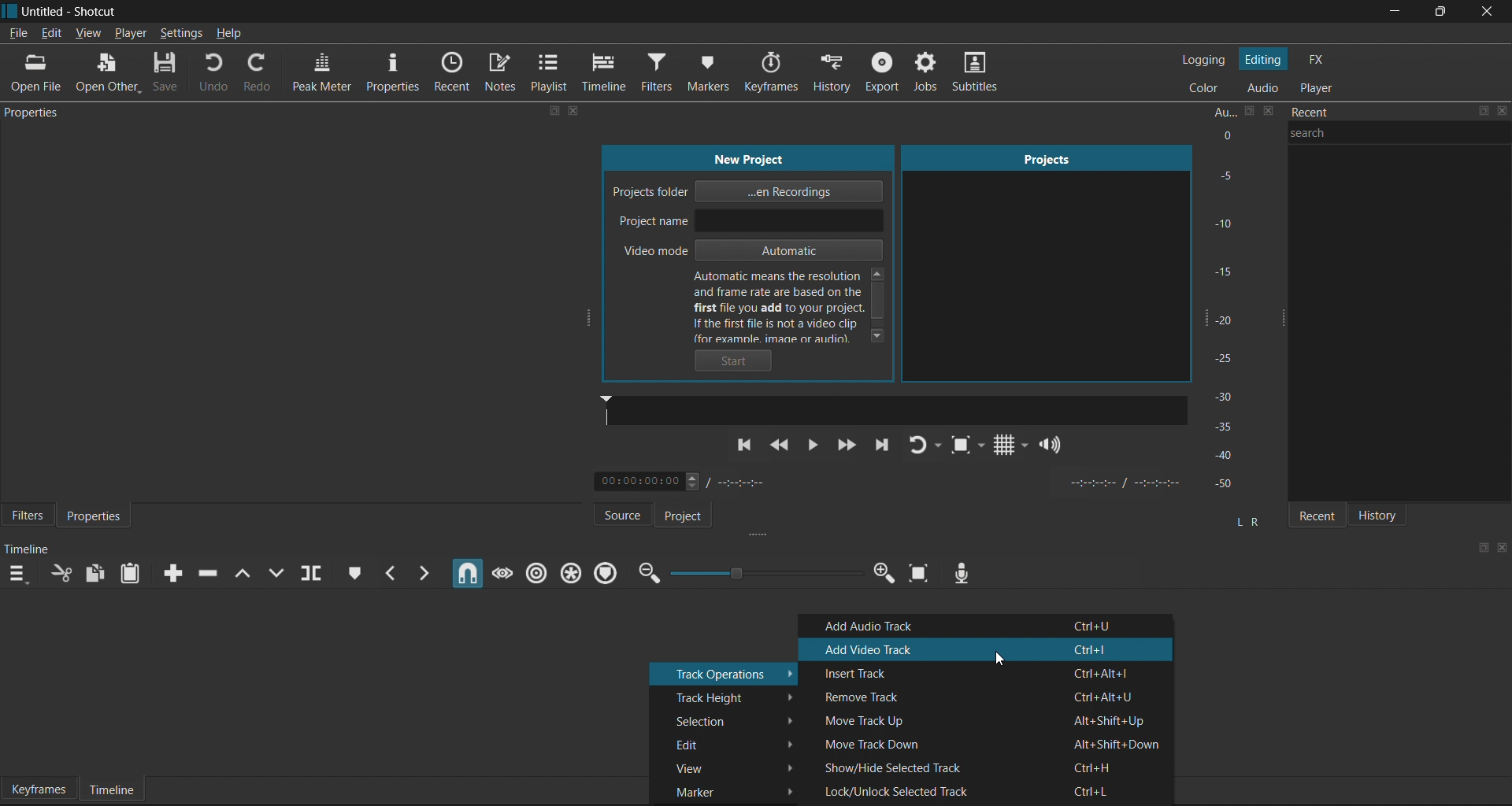 Image resolution: width=1512 pixels, height=806 pixels. I want to click on Timeline, so click(112, 789).